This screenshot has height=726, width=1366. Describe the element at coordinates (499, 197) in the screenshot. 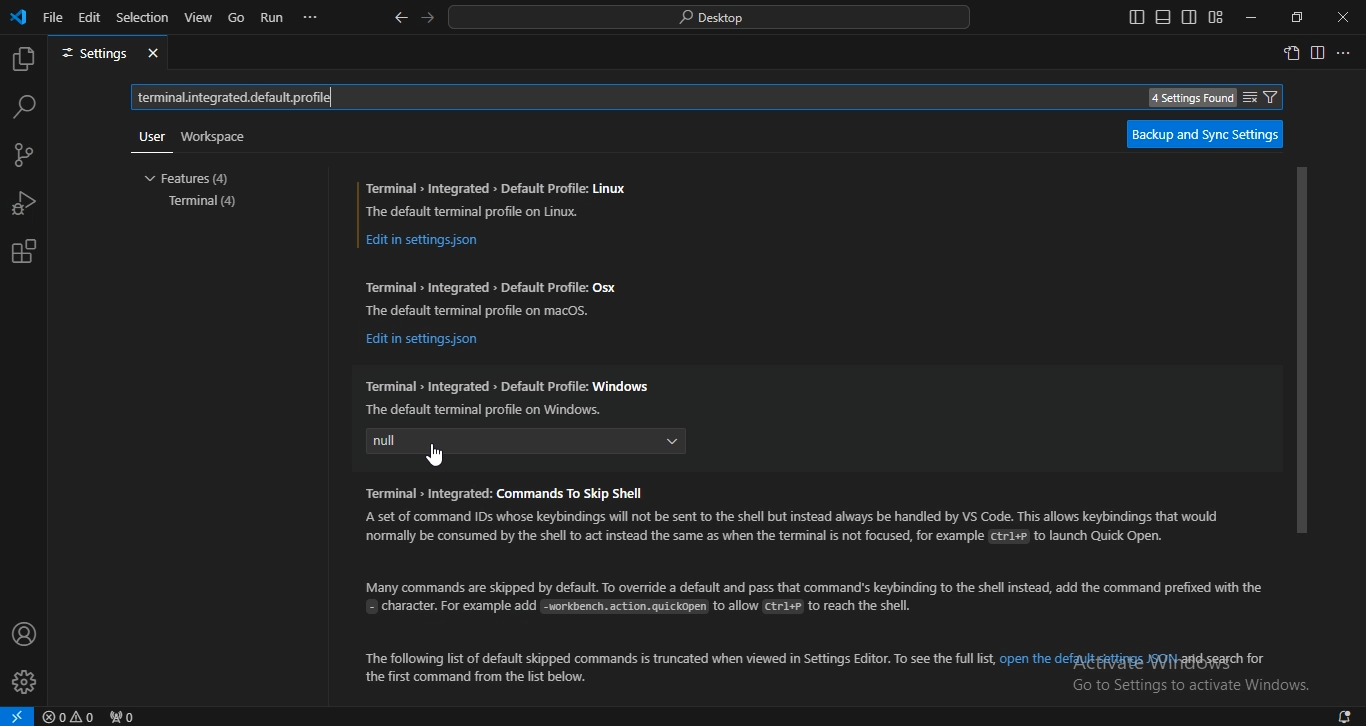

I see `Terminal » Integrated > Default Profile: Linux
The default terminal profile on Linux.` at that location.